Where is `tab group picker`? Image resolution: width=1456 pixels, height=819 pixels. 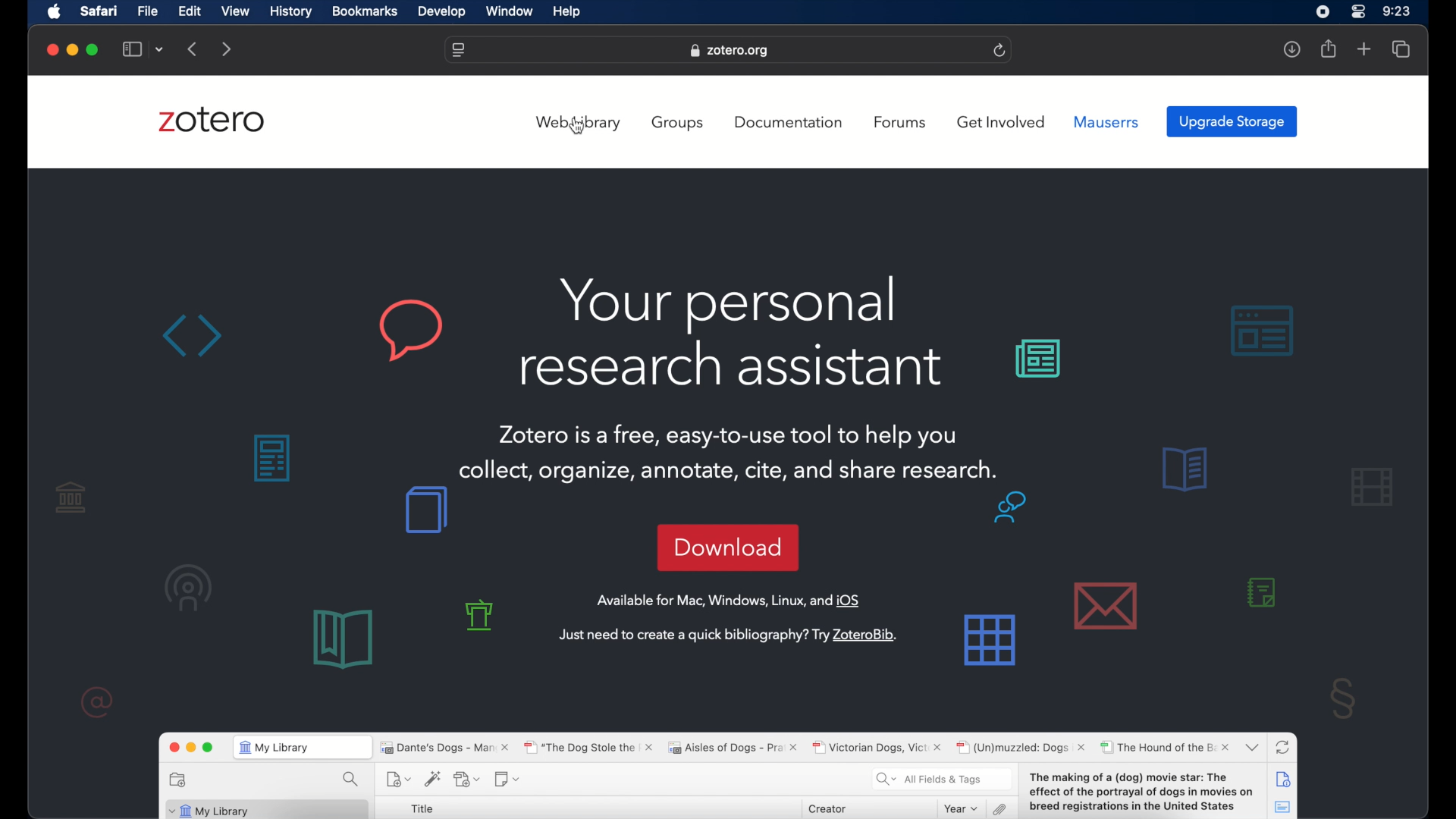 tab group picker is located at coordinates (161, 50).